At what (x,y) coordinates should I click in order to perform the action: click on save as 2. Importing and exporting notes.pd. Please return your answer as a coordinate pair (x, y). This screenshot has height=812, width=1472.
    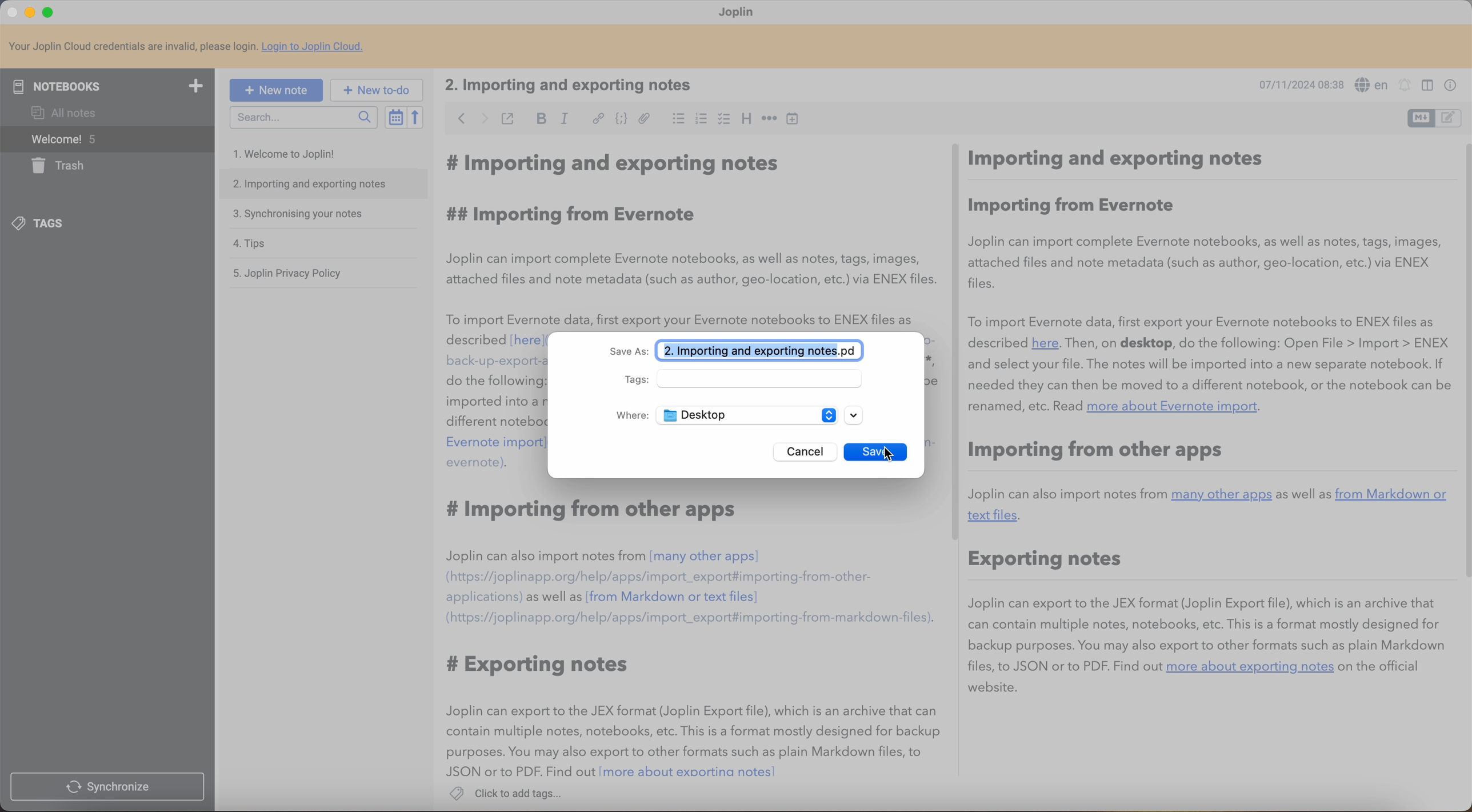
    Looking at the image, I should click on (739, 351).